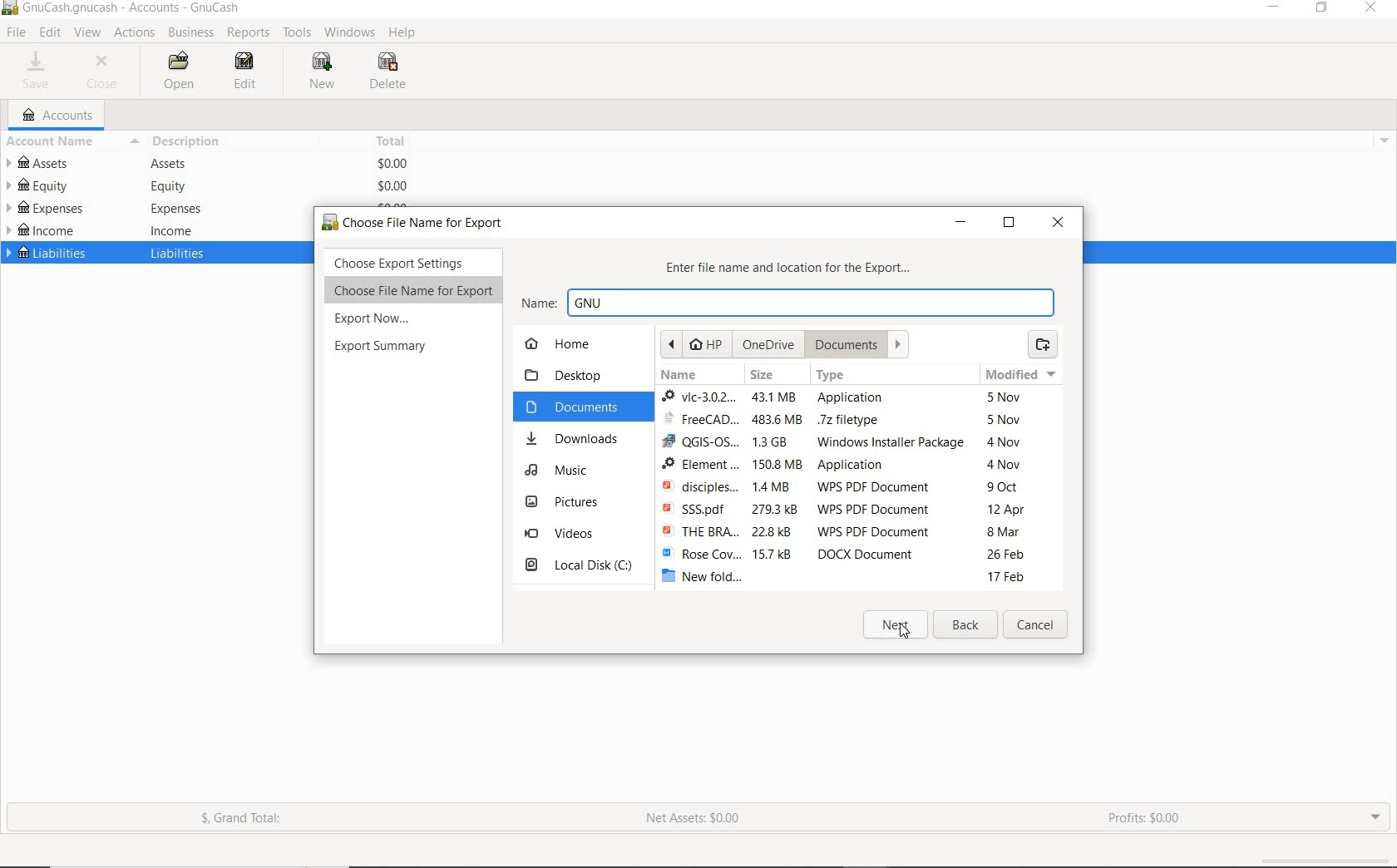 This screenshot has width=1397, height=868. I want to click on expenses, so click(174, 209).